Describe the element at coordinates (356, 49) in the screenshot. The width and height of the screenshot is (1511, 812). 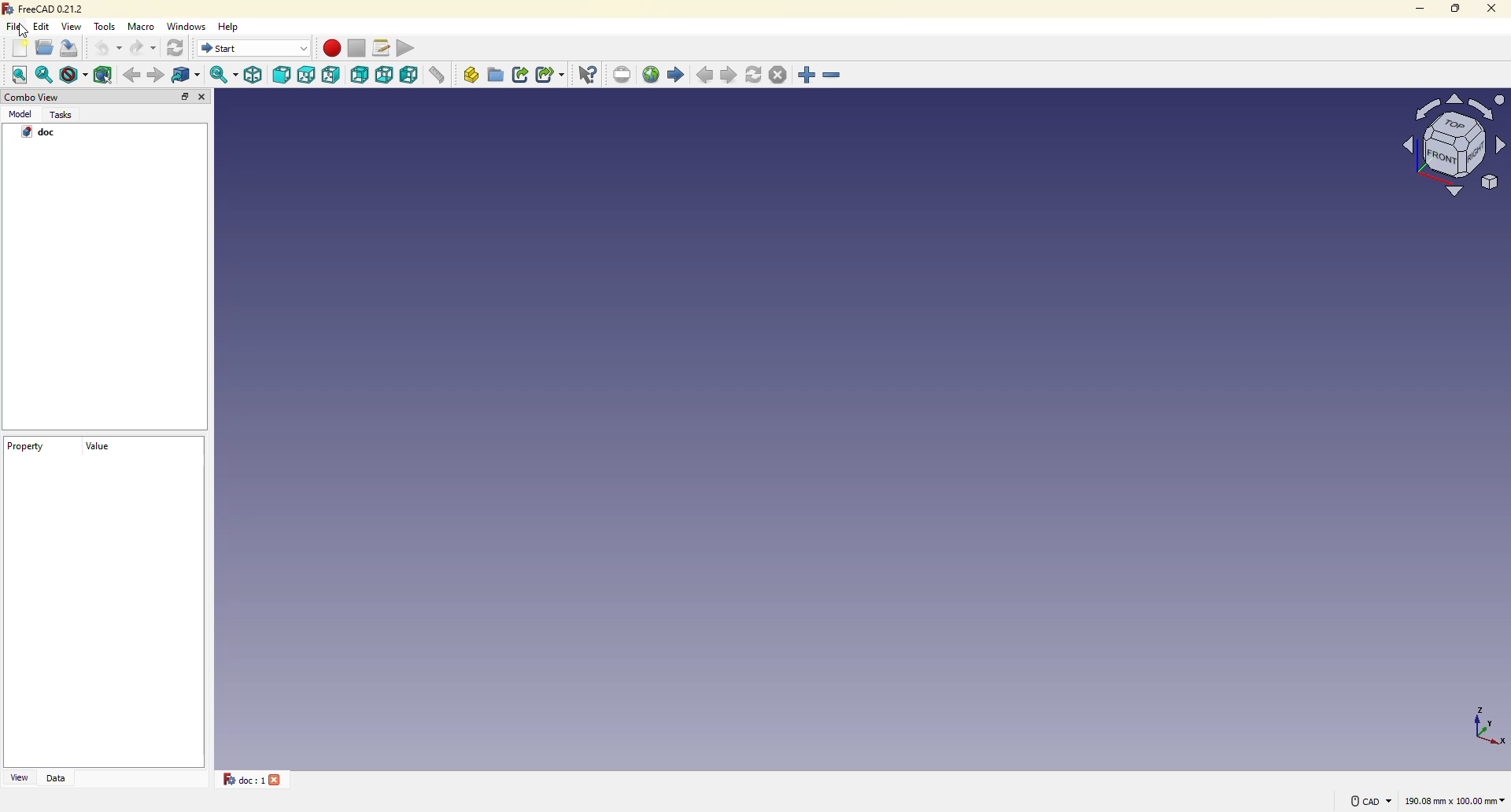
I see `stop macro recording` at that location.